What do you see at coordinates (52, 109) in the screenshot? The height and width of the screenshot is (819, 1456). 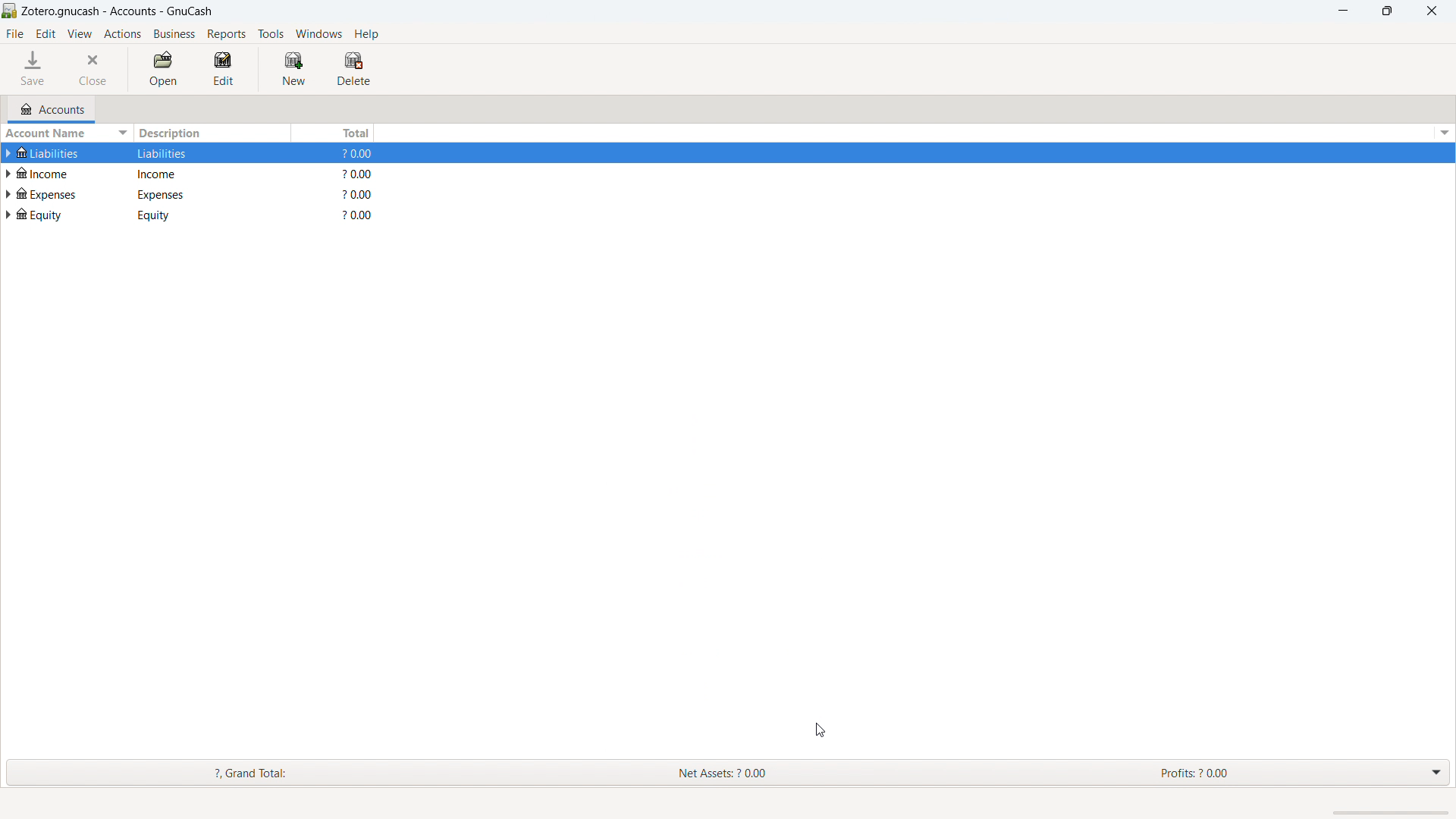 I see `accounts tab` at bounding box center [52, 109].